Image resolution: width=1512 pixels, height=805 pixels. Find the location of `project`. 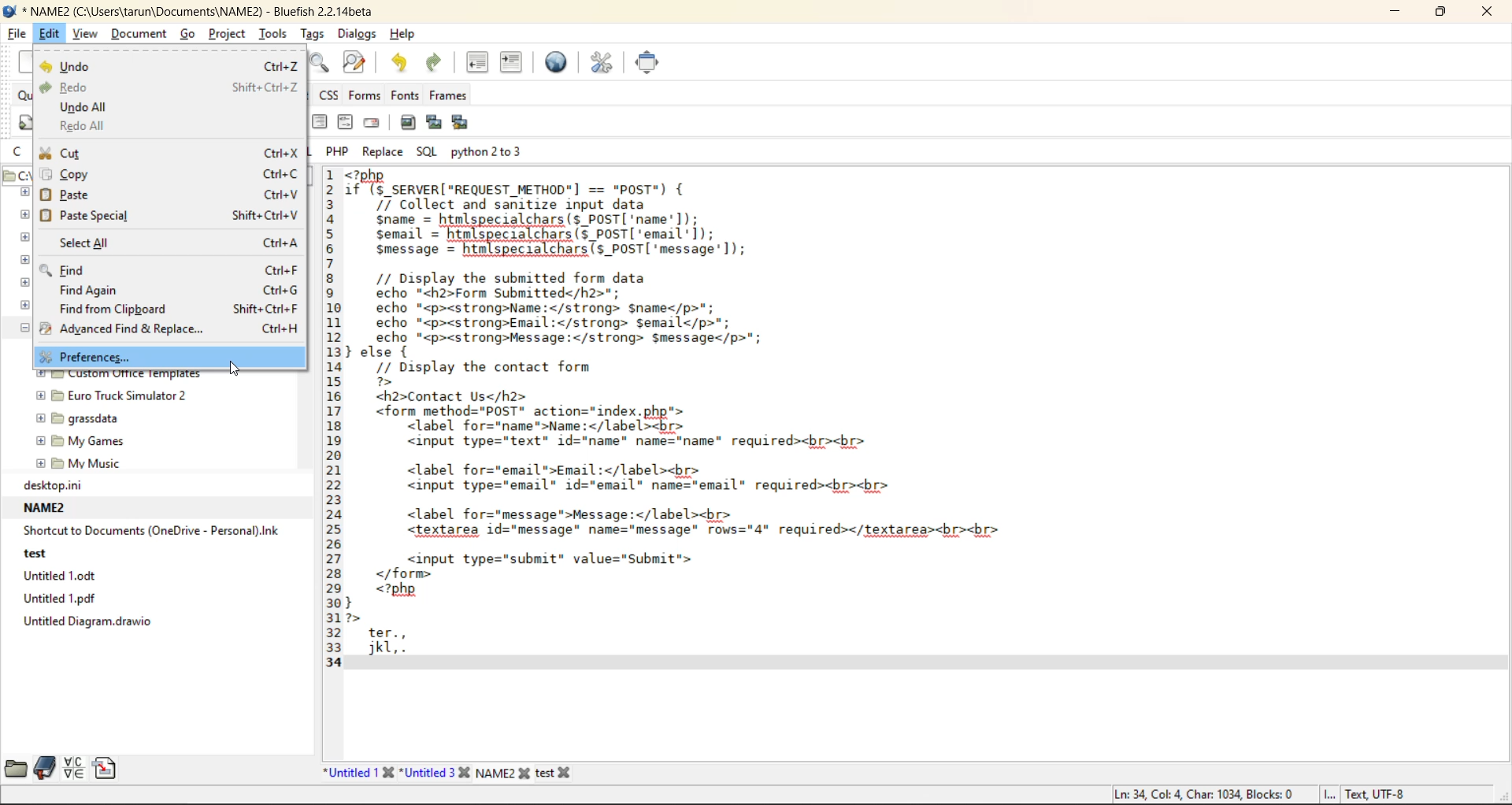

project is located at coordinates (227, 35).